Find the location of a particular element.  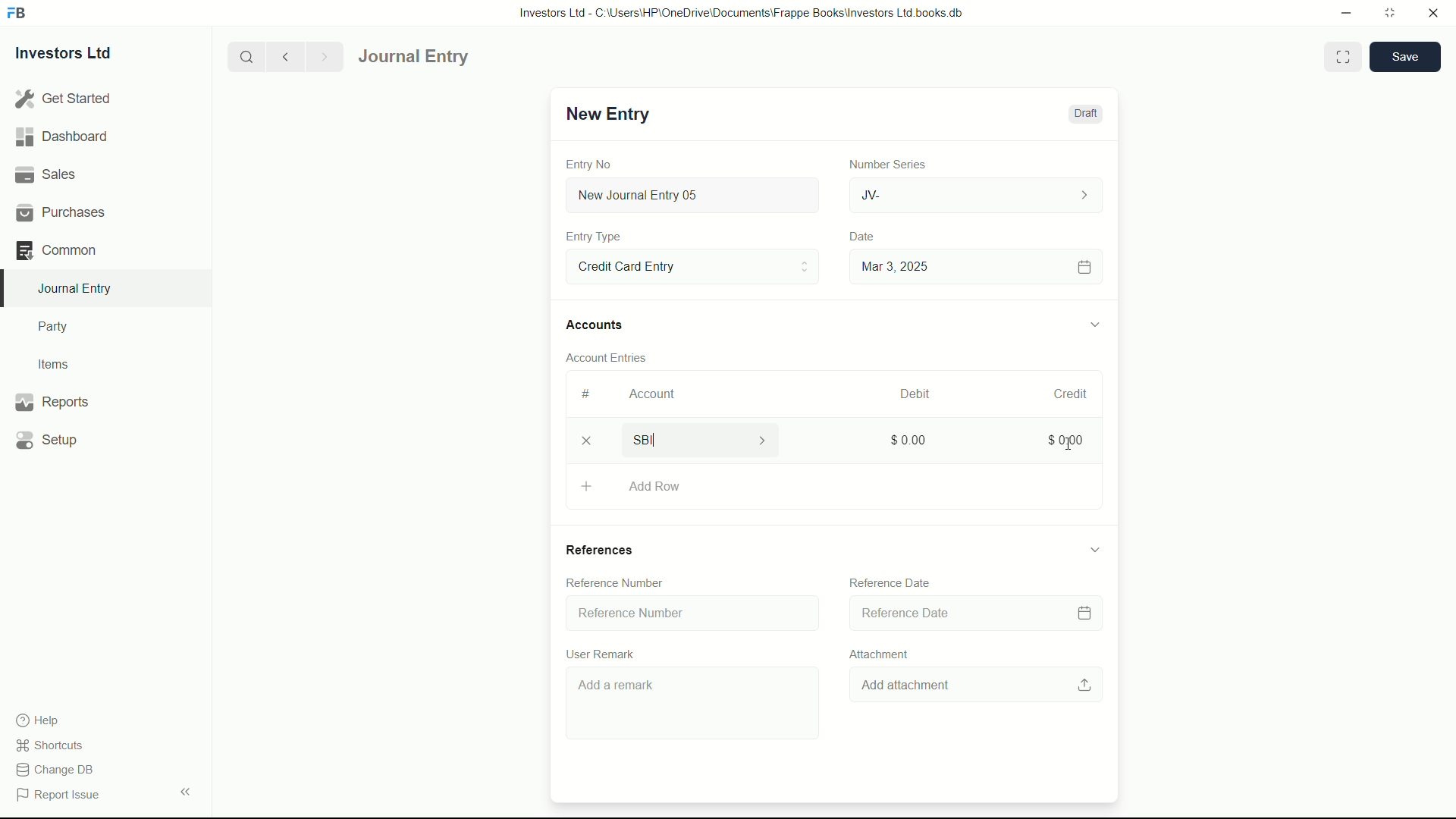

Add a remark is located at coordinates (695, 705).